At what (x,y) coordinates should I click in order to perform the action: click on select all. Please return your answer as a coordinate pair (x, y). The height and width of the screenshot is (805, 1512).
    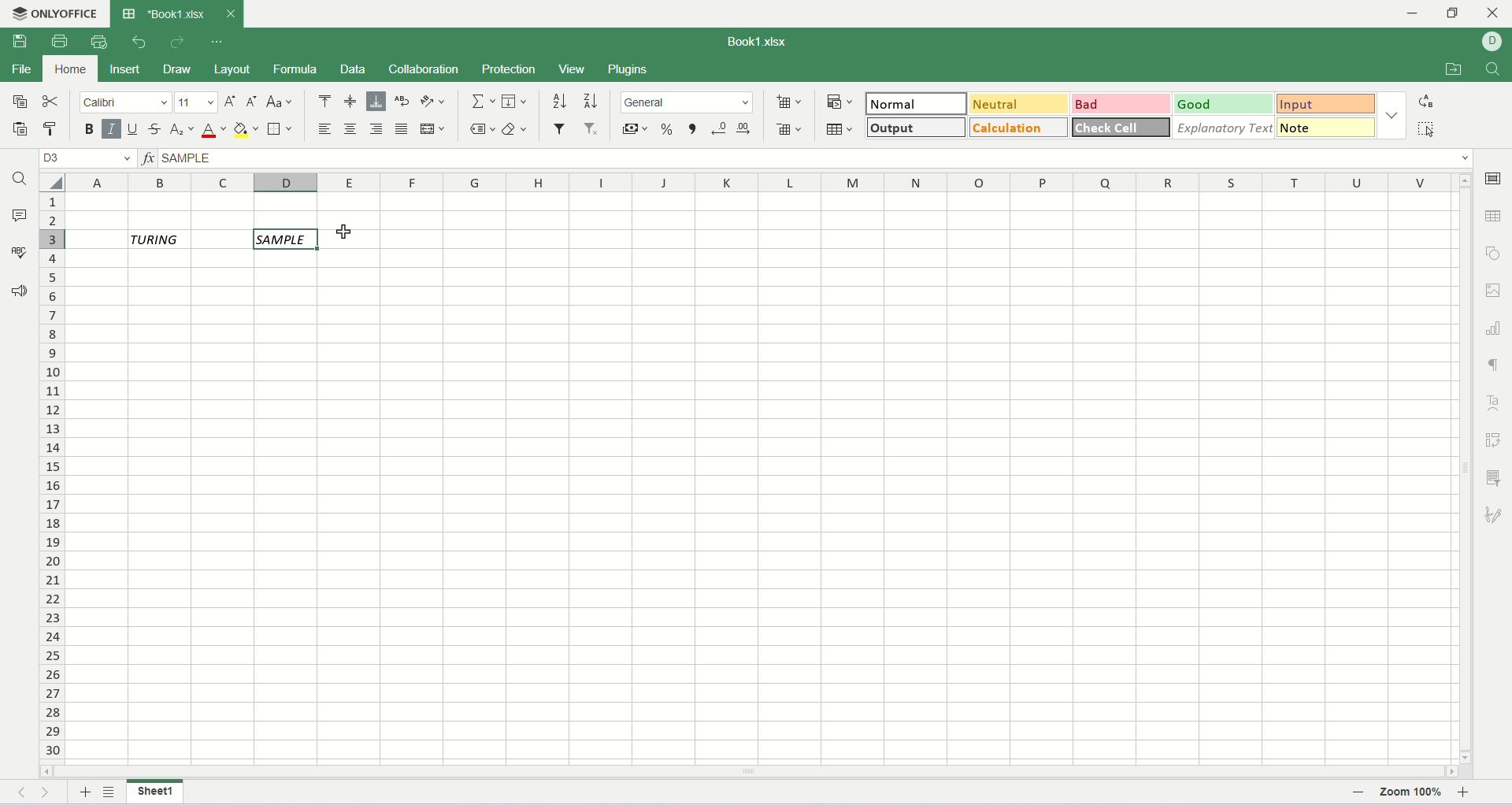
    Looking at the image, I should click on (51, 182).